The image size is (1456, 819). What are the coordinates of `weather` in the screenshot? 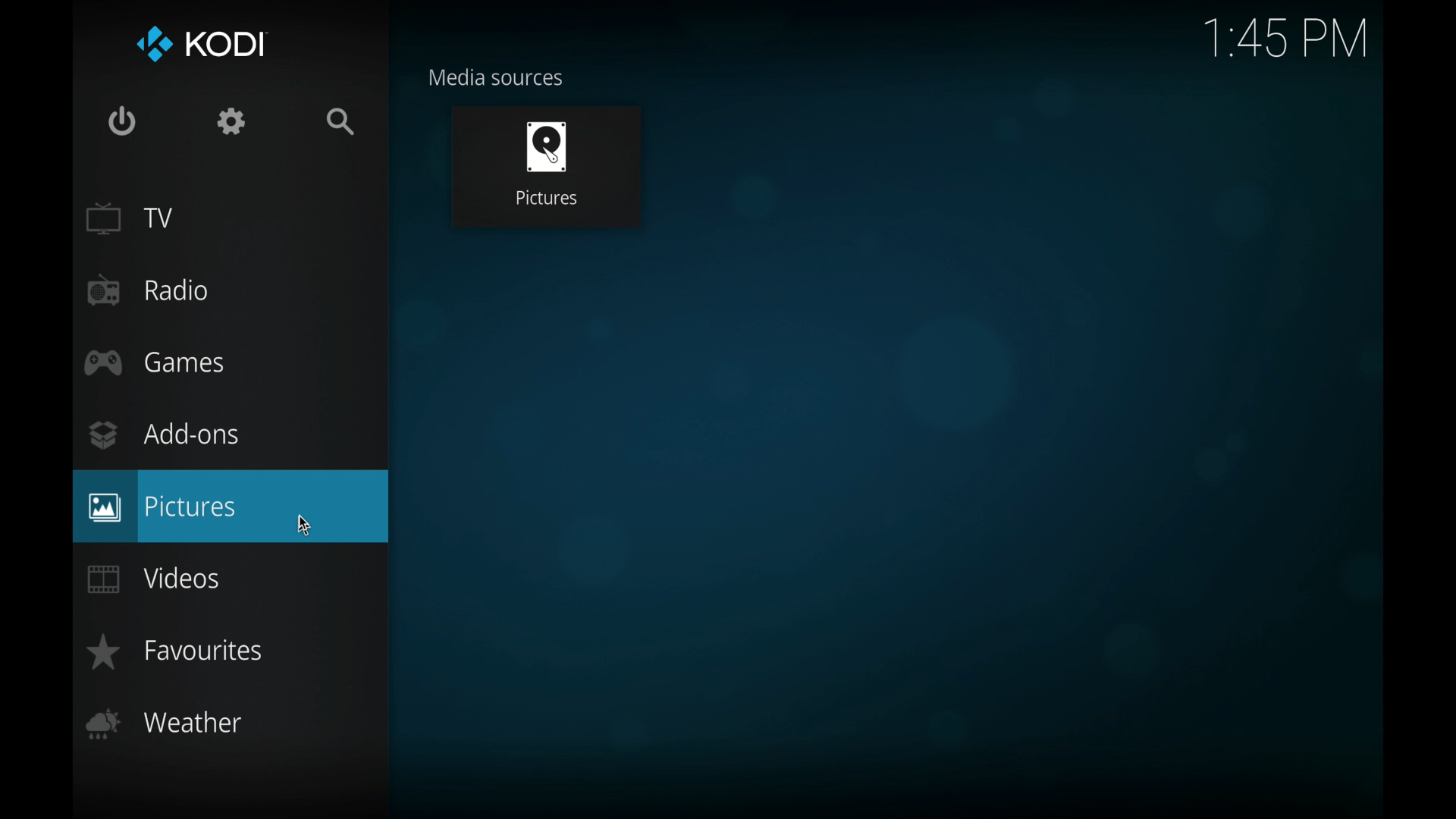 It's located at (165, 723).